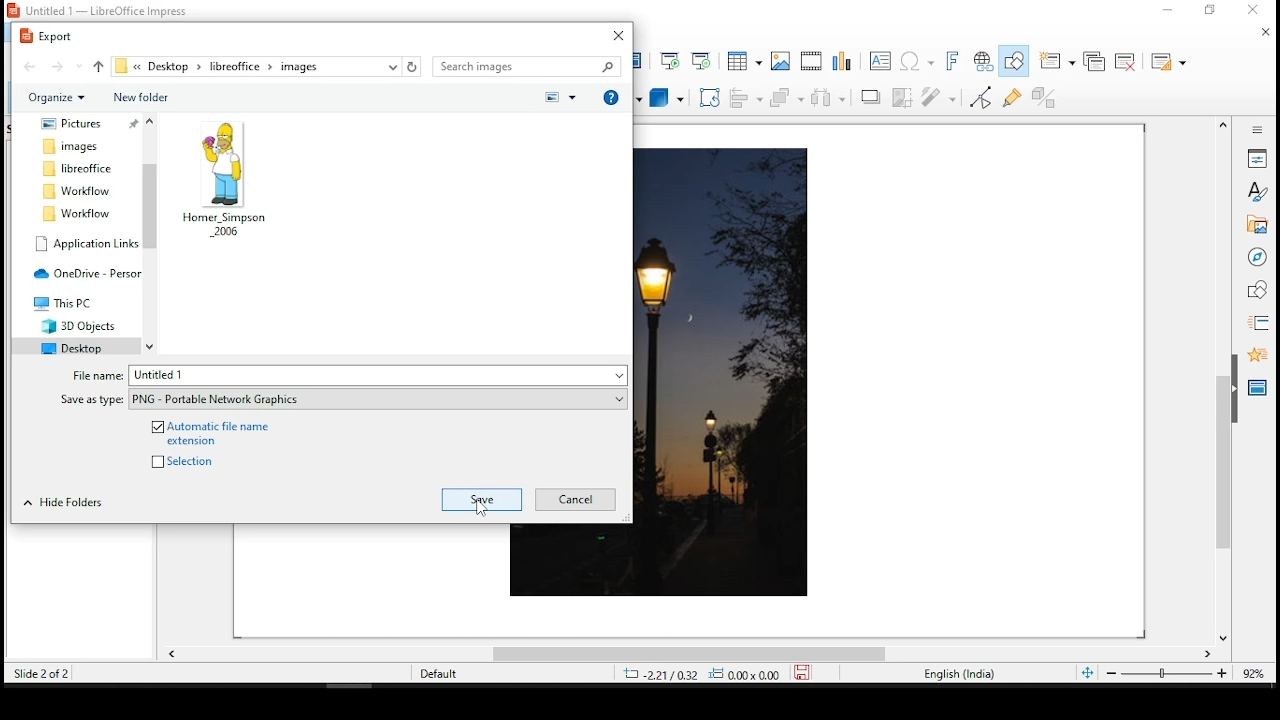 Image resolution: width=1280 pixels, height=720 pixels. I want to click on fontwork text, so click(955, 59).